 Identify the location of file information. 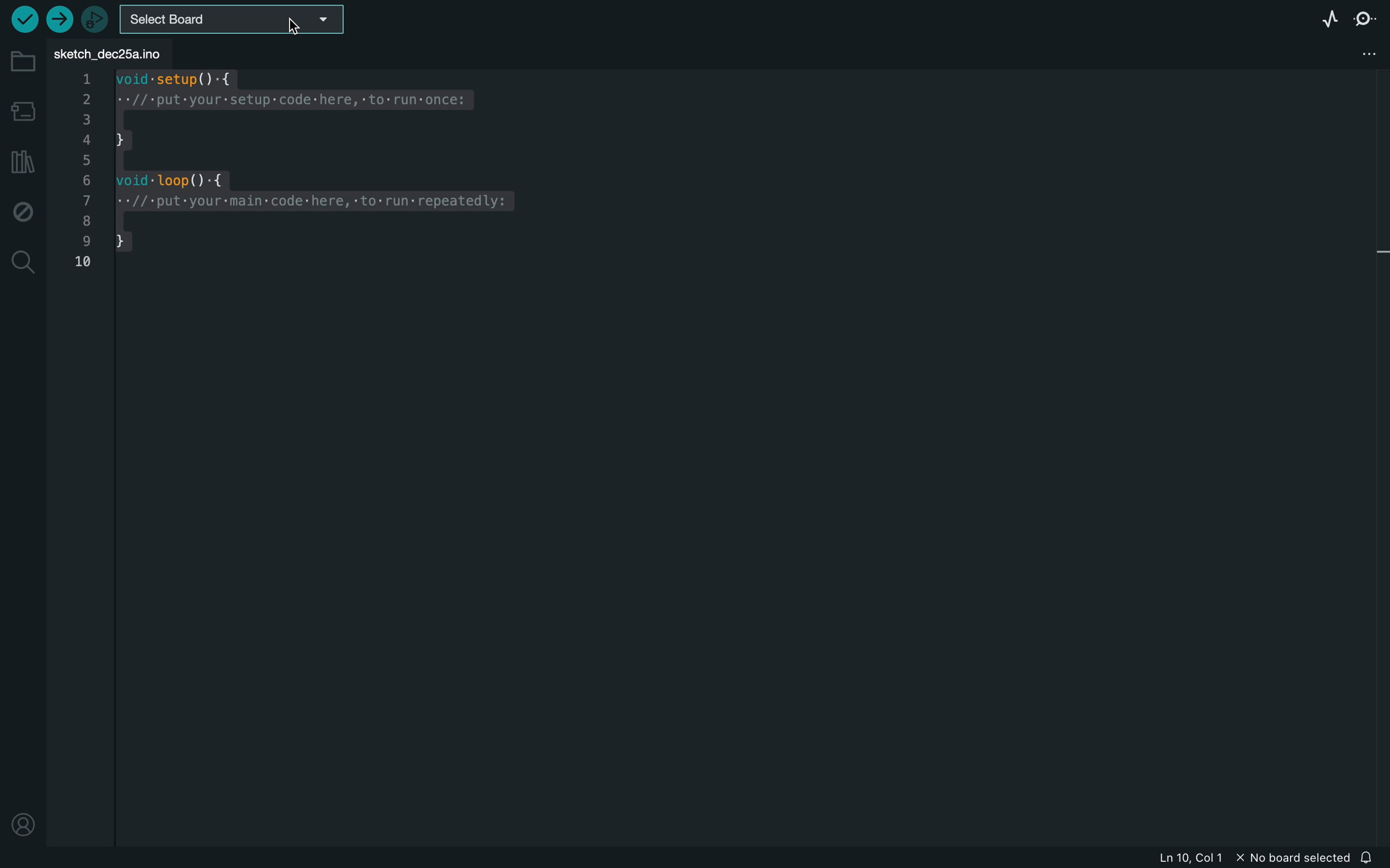
(1252, 857).